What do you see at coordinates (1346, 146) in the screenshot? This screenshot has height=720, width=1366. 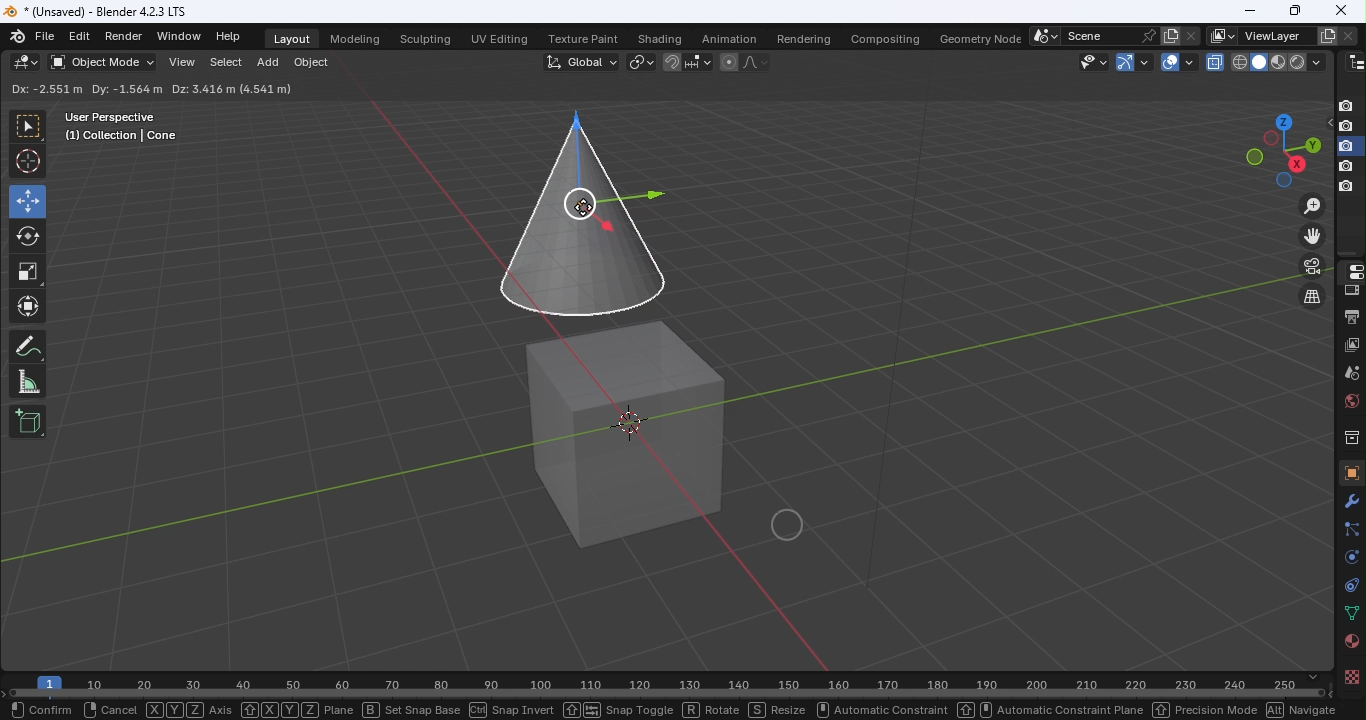 I see `disable in renders` at bounding box center [1346, 146].